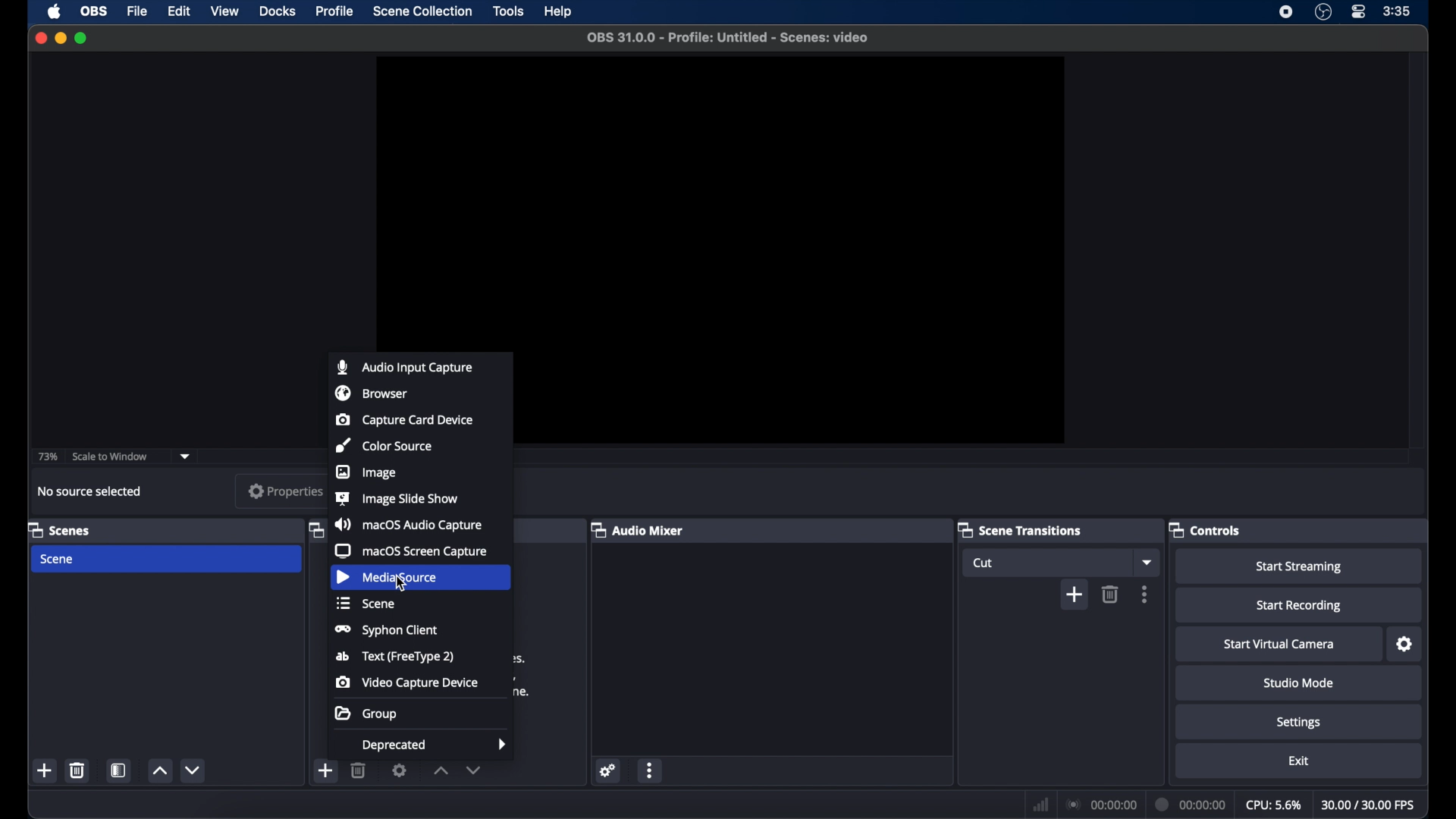  Describe the element at coordinates (193, 770) in the screenshot. I see `decrement` at that location.